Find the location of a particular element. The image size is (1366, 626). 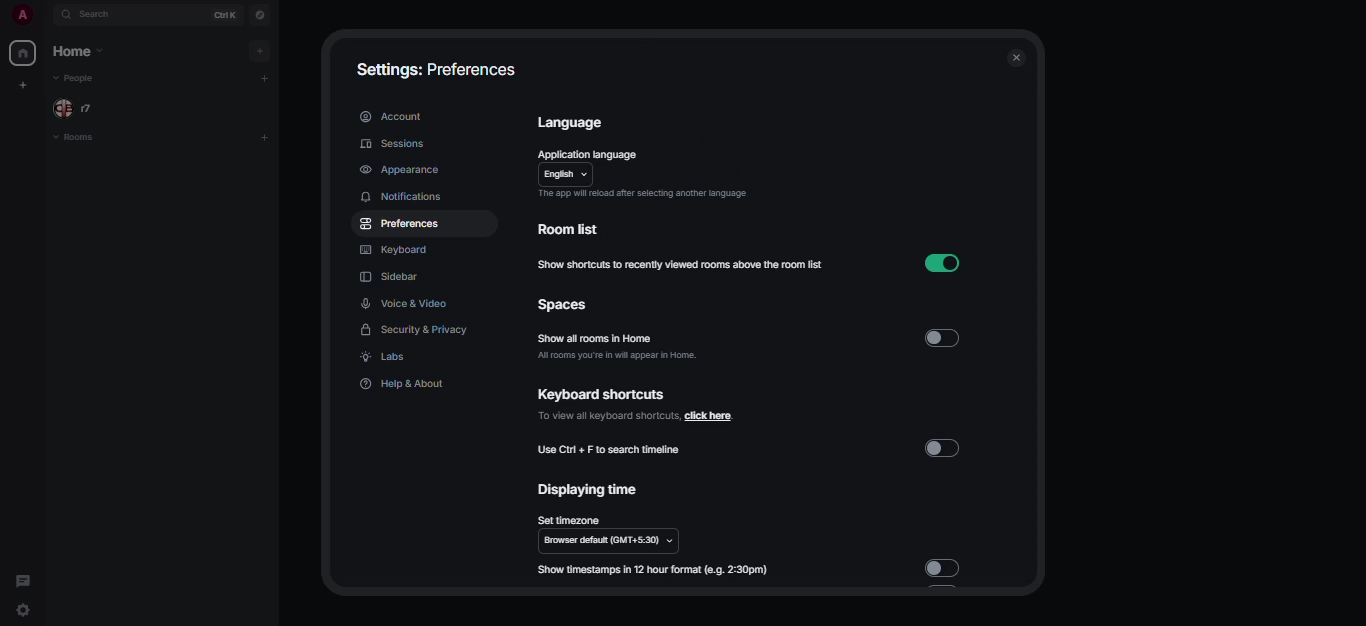

voice & video is located at coordinates (406, 304).